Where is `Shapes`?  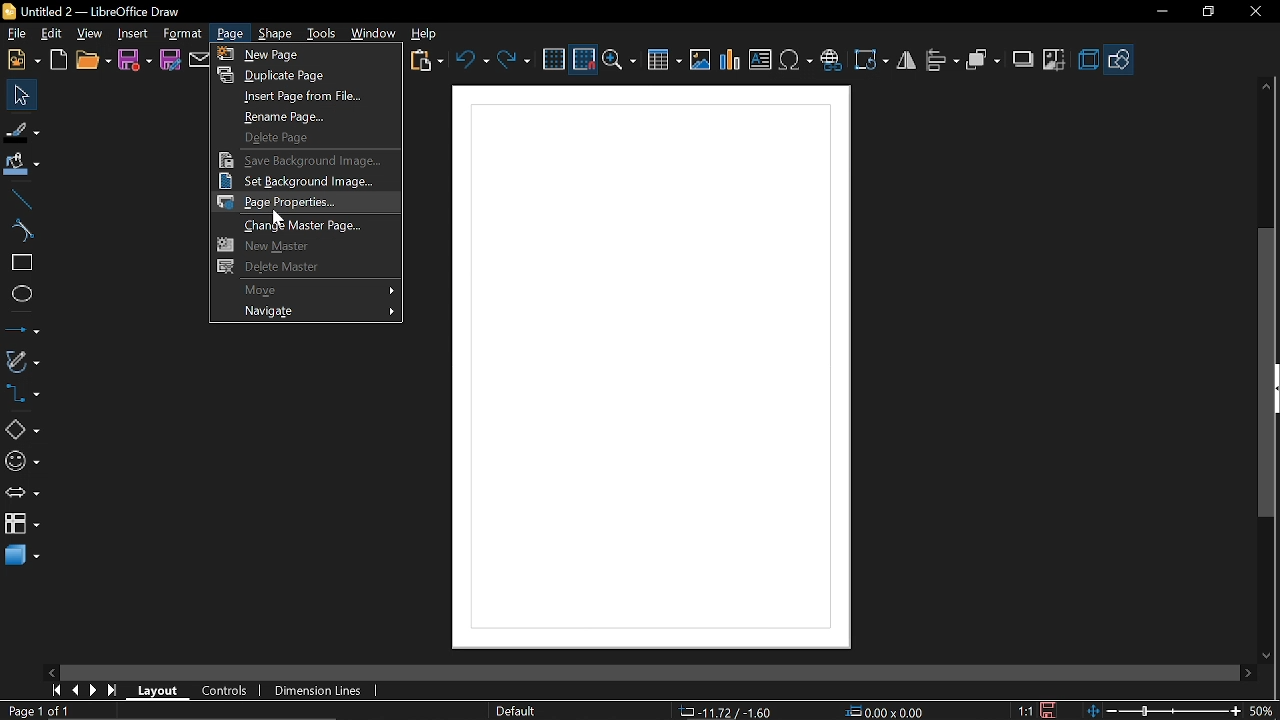 Shapes is located at coordinates (22, 428).